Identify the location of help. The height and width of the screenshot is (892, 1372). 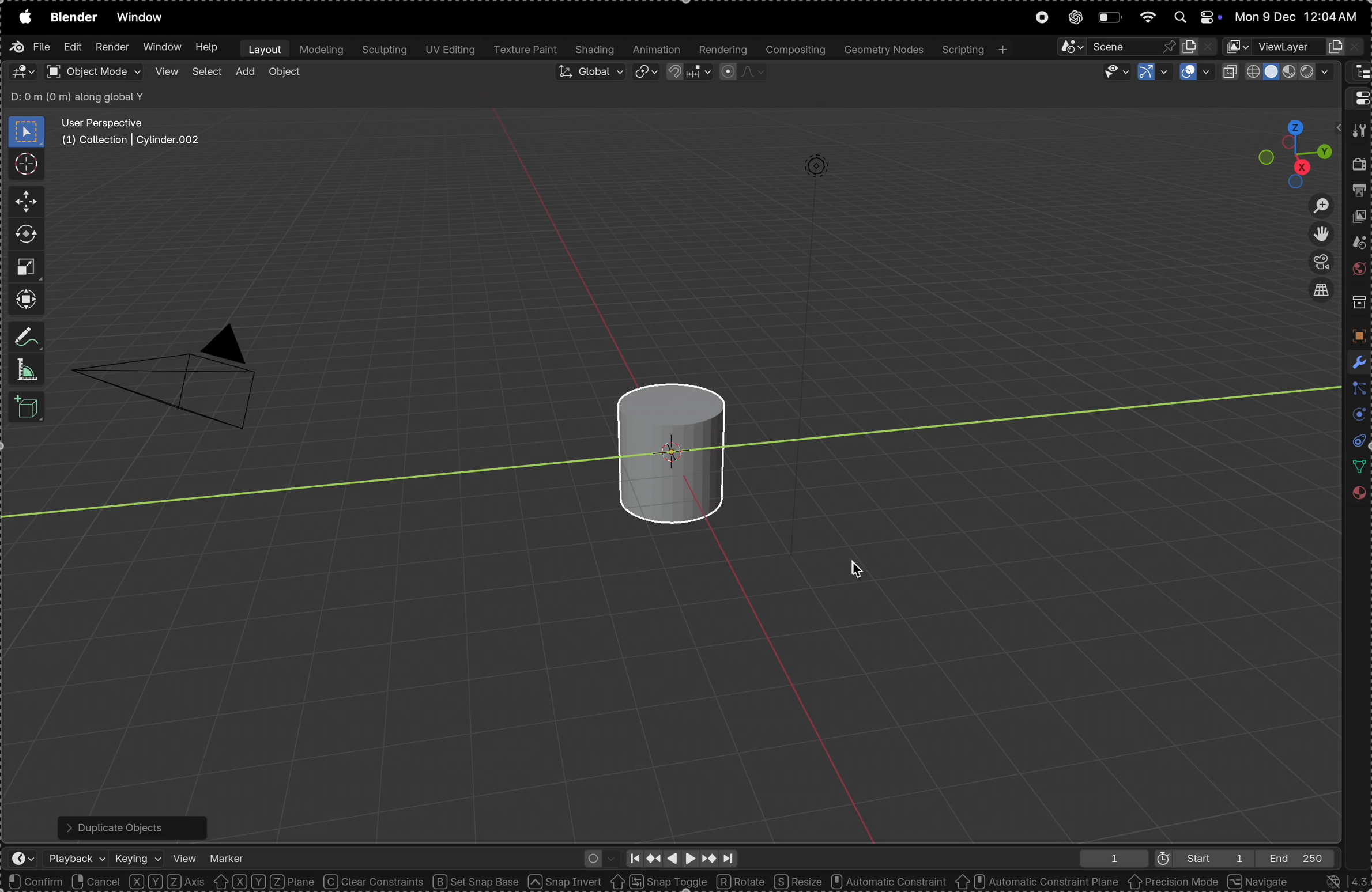
(207, 47).